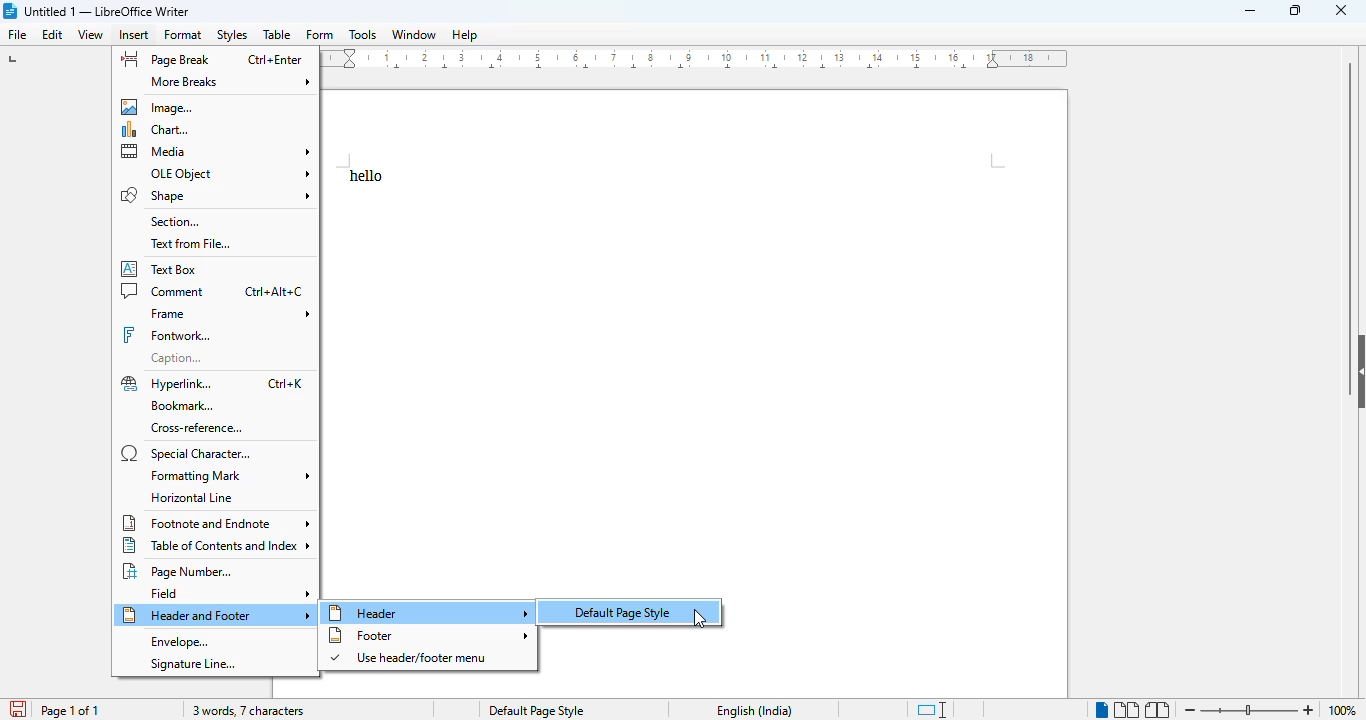 The width and height of the screenshot is (1366, 720). I want to click on shape, so click(217, 195).